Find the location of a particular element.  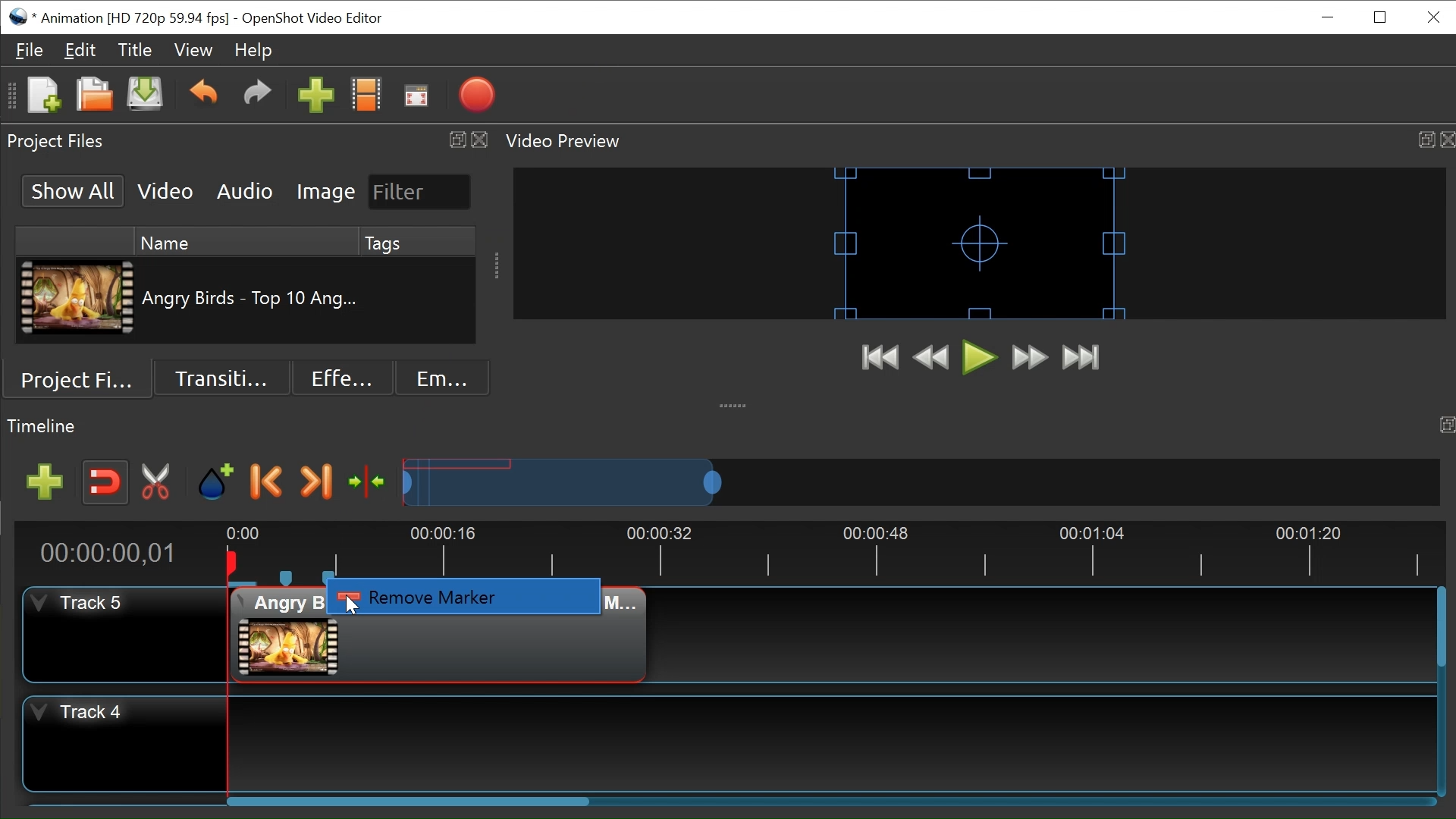

Center the timeline on the playhead is located at coordinates (368, 482).